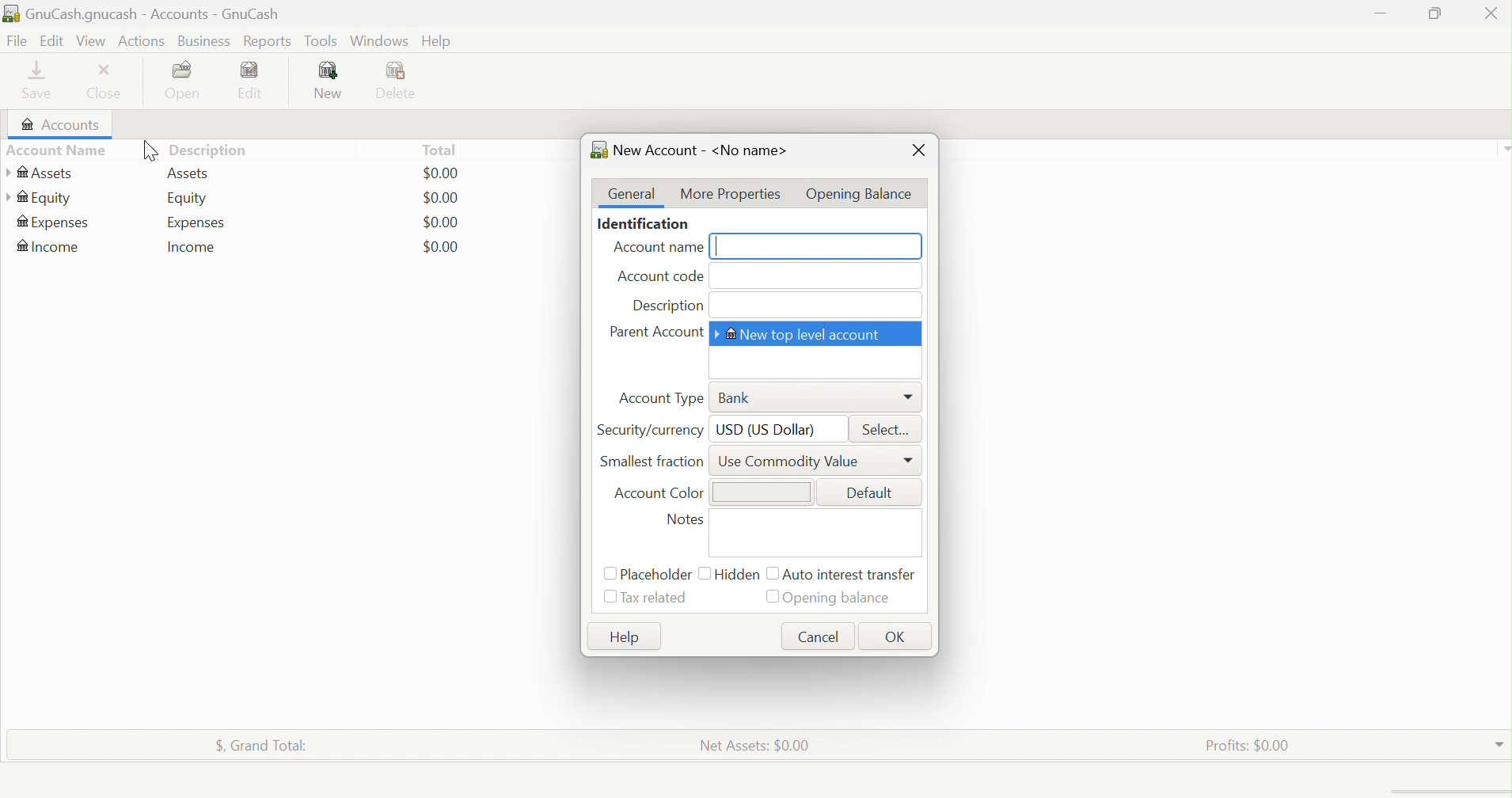 The width and height of the screenshot is (1512, 798). What do you see at coordinates (806, 333) in the screenshot?
I see `New top level account` at bounding box center [806, 333].